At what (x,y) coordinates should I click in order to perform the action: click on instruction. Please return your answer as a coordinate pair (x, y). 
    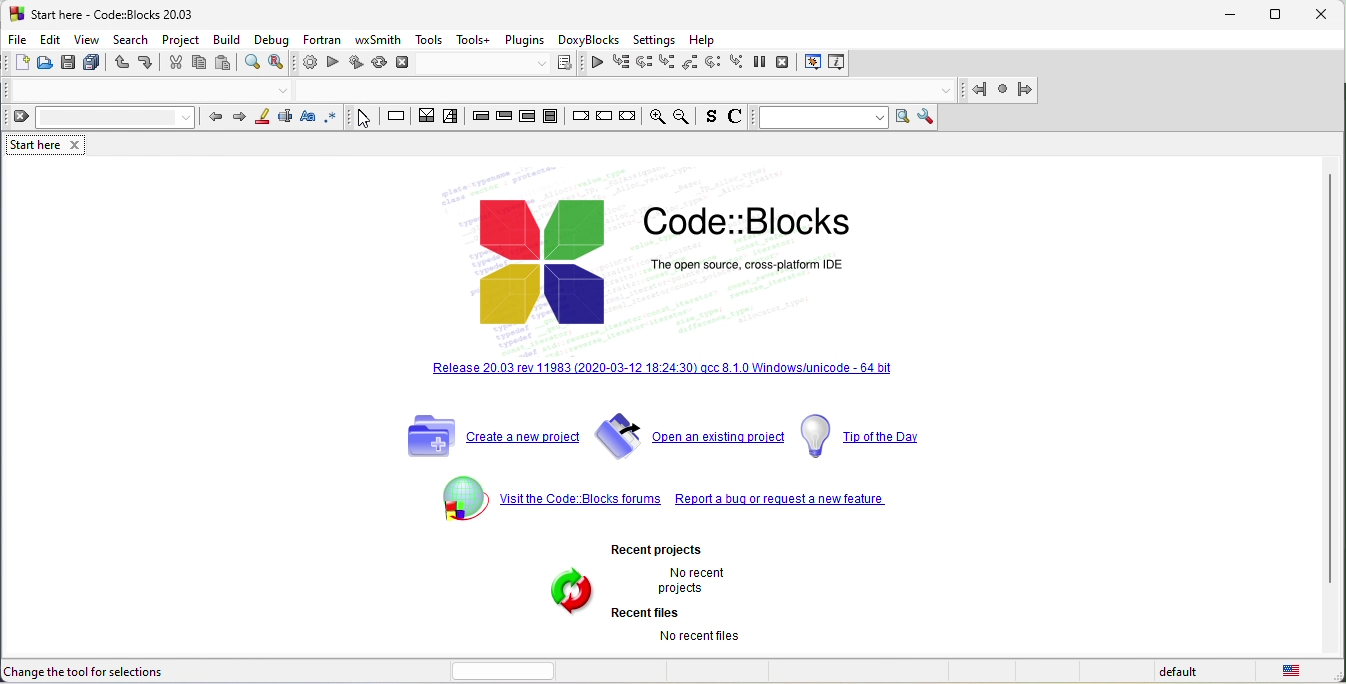
    Looking at the image, I should click on (396, 117).